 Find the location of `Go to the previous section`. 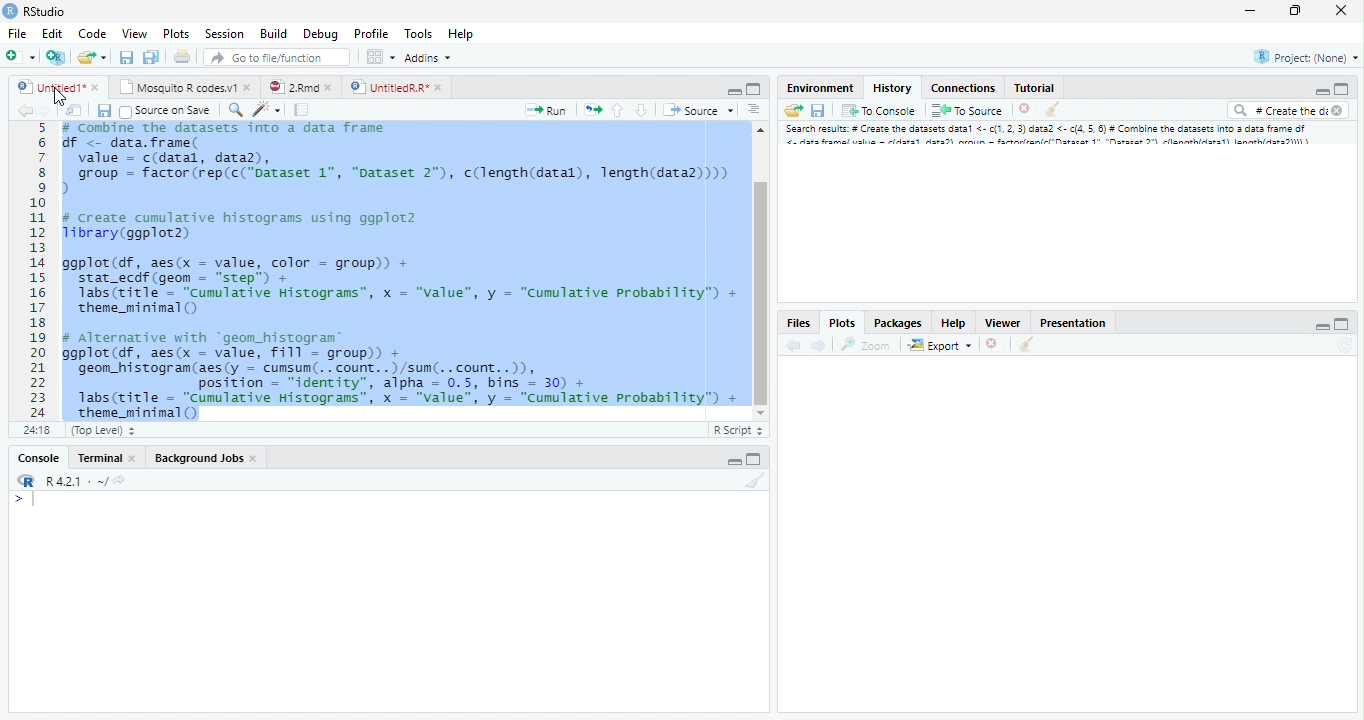

Go to the previous section is located at coordinates (619, 113).